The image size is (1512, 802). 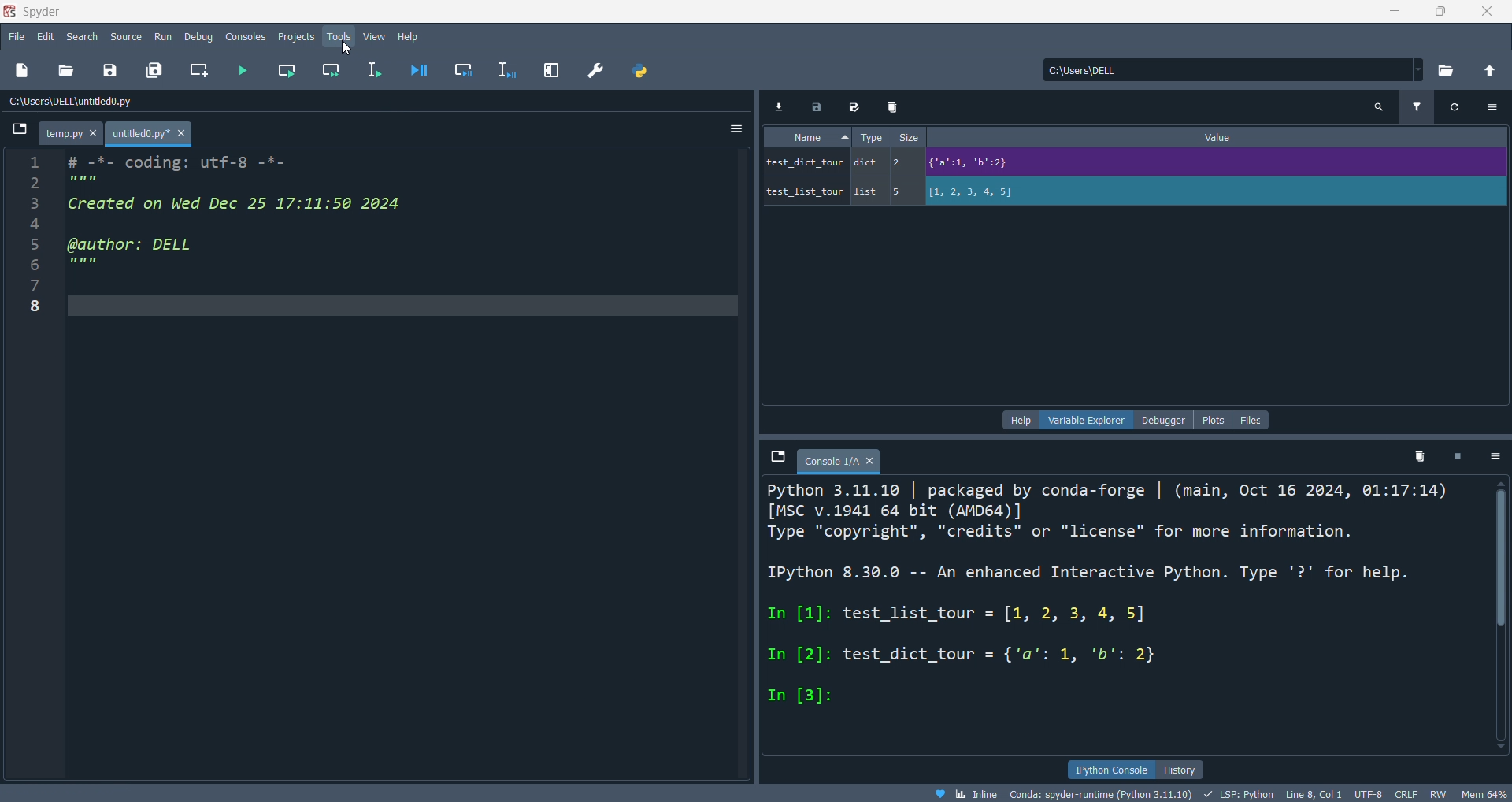 I want to click on run file, so click(x=248, y=70).